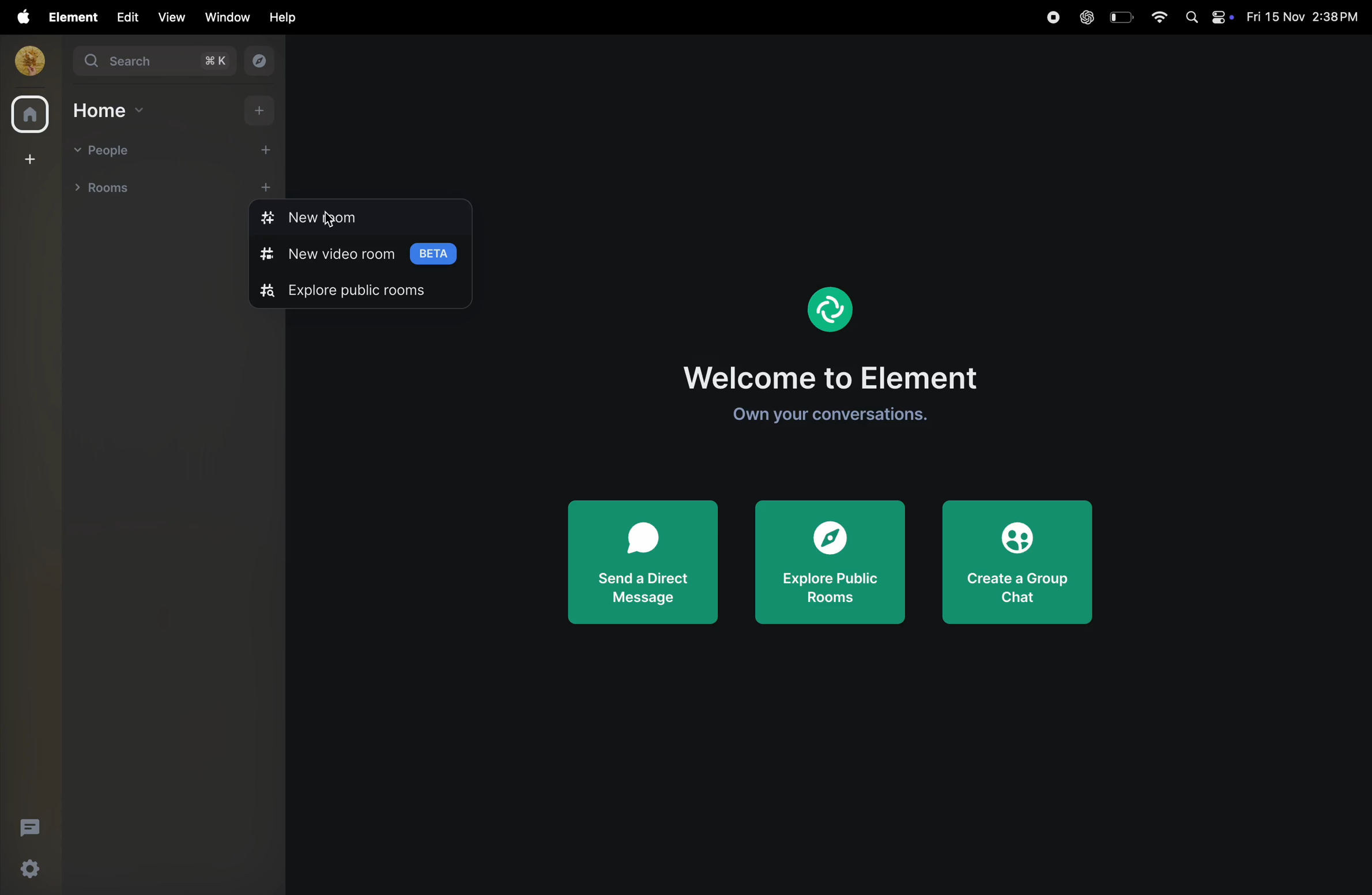  What do you see at coordinates (834, 416) in the screenshot?
I see `Own your conversations.` at bounding box center [834, 416].